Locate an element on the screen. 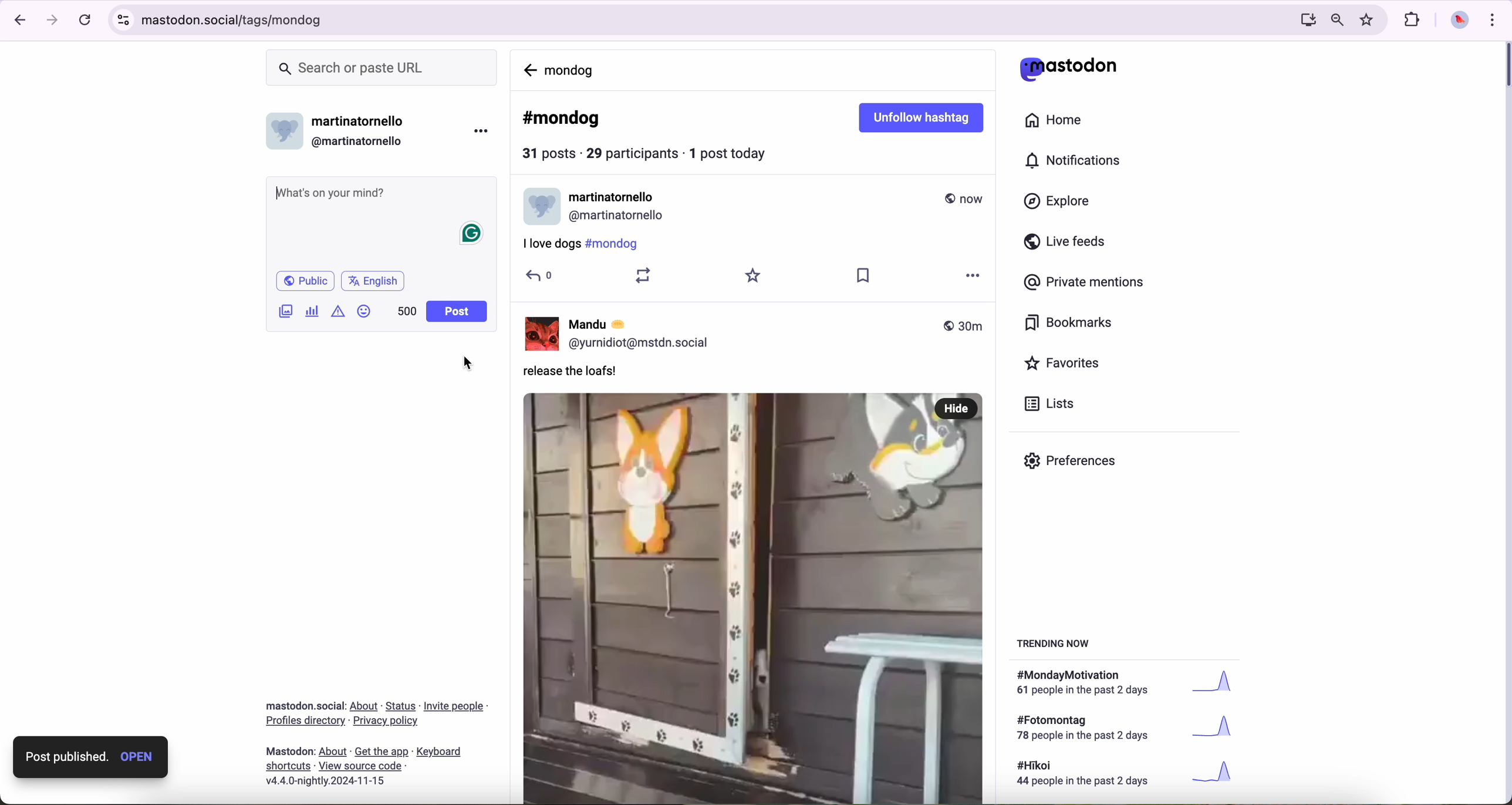 The image size is (1512, 805). retweet is located at coordinates (640, 777).